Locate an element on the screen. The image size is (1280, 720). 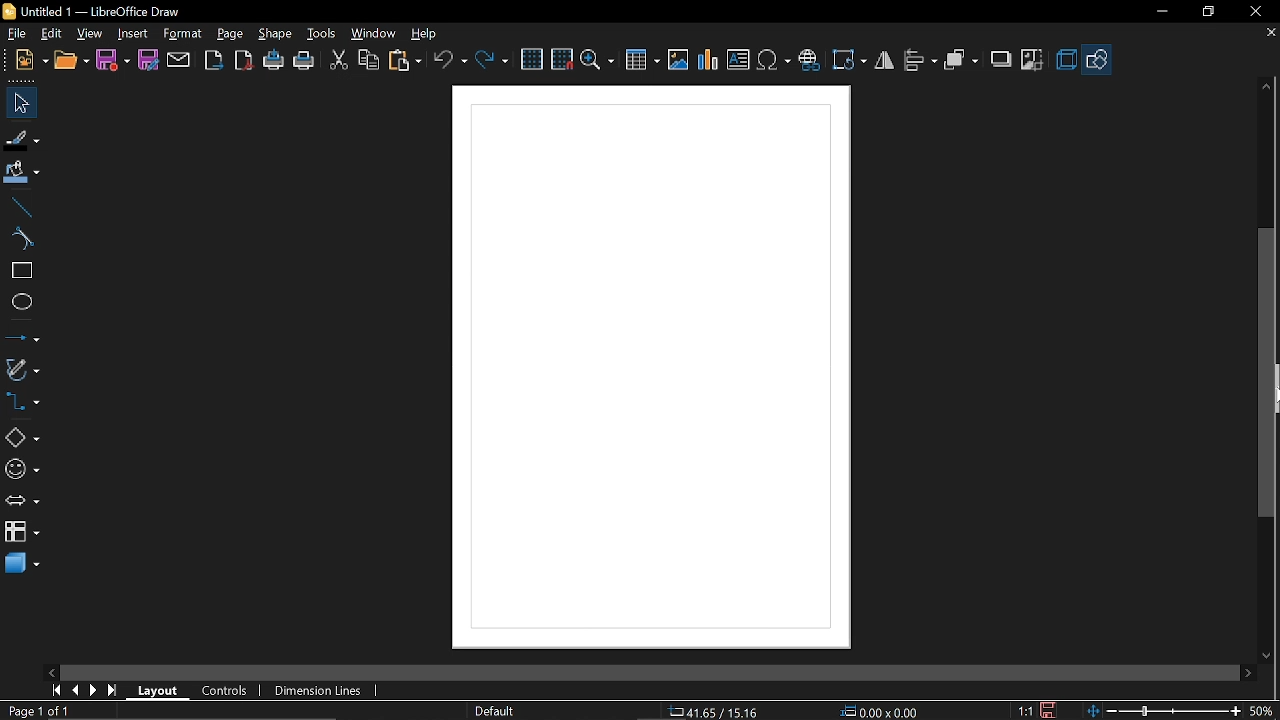
tools is located at coordinates (322, 34).